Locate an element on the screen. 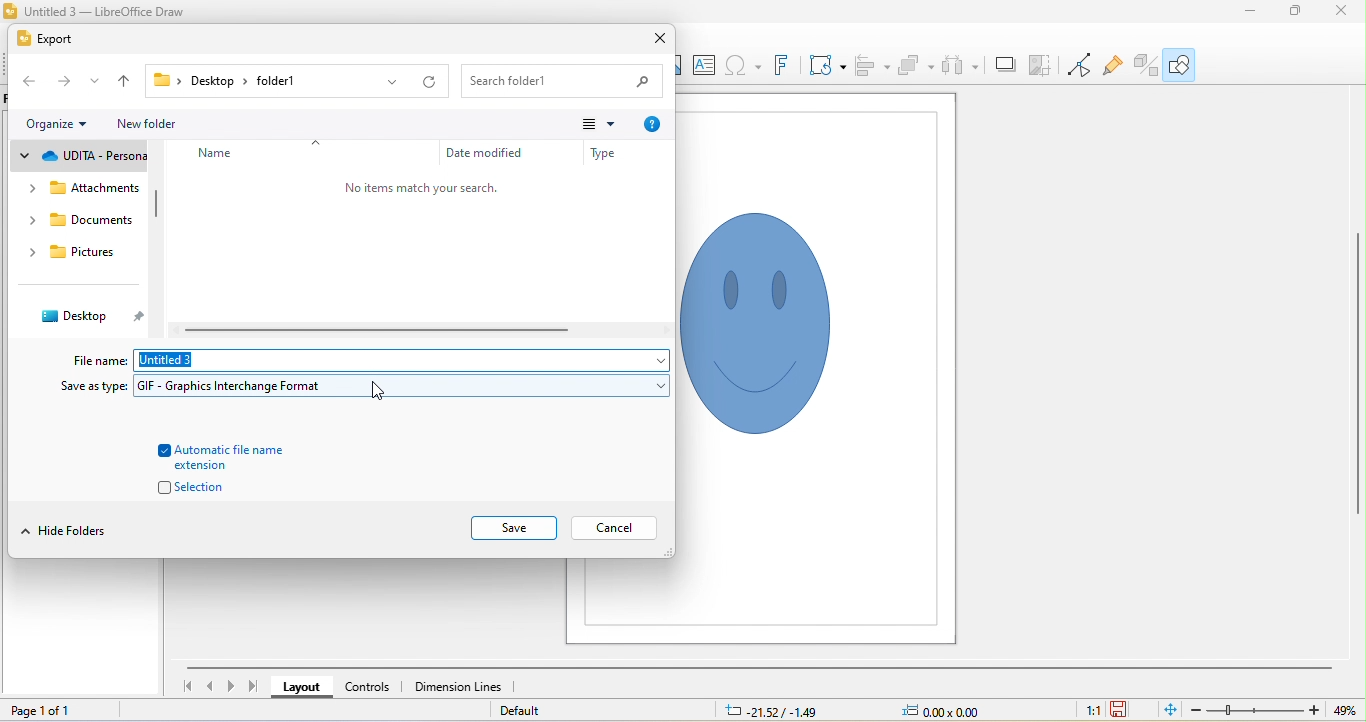  minimize is located at coordinates (1251, 11).